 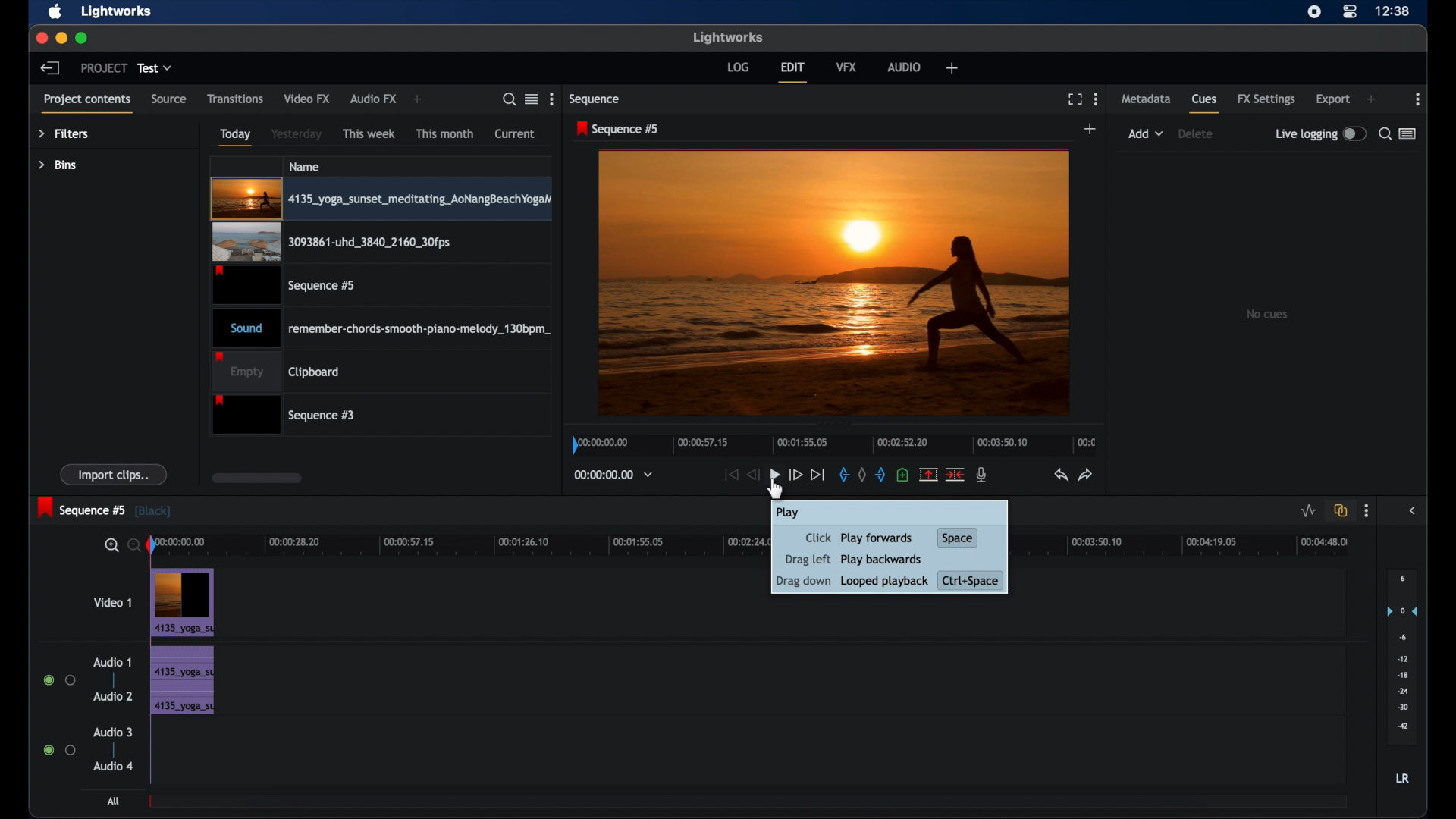 What do you see at coordinates (1075, 98) in the screenshot?
I see `full screen` at bounding box center [1075, 98].